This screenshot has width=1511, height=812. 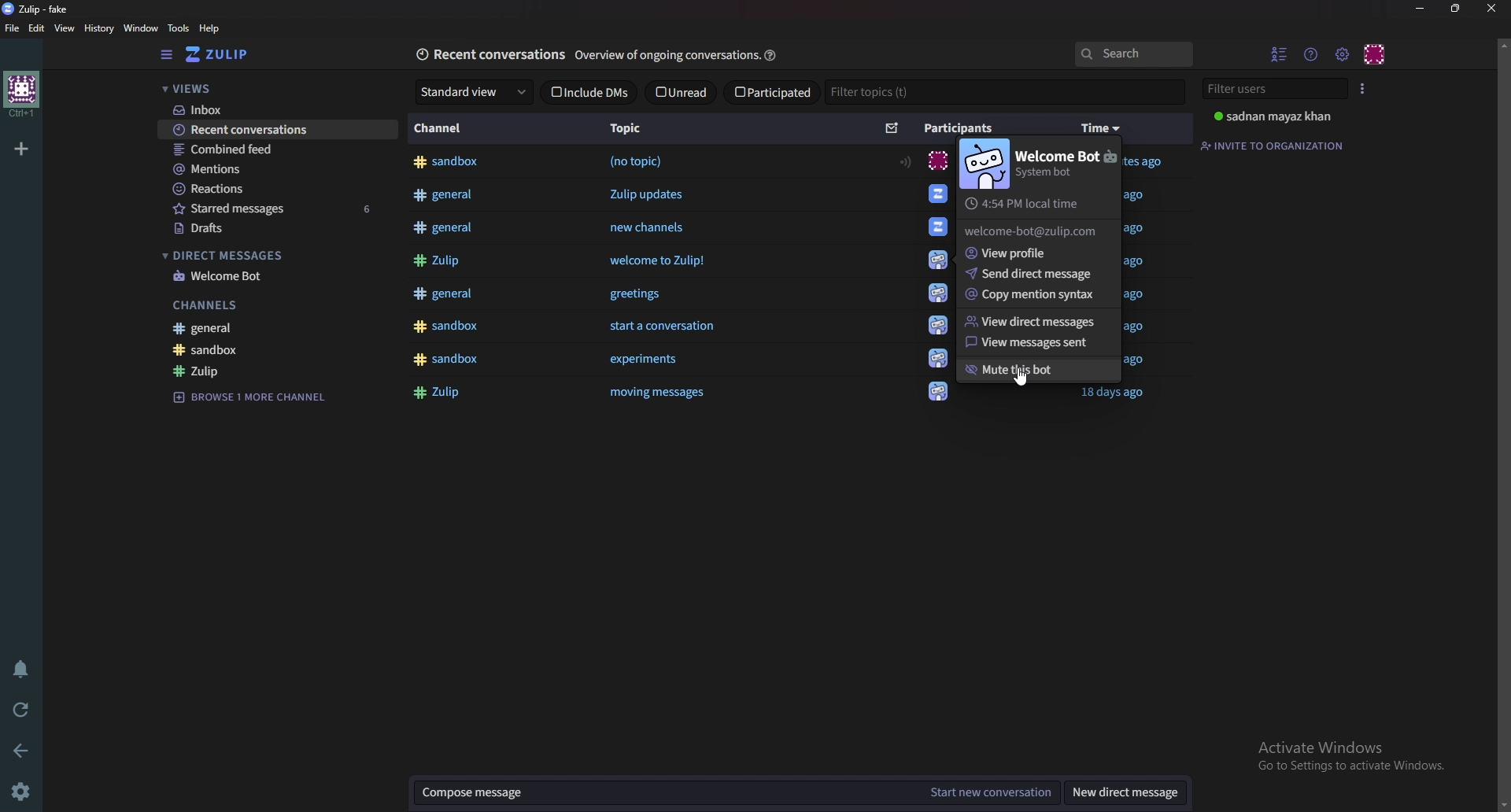 What do you see at coordinates (1101, 130) in the screenshot?
I see `time` at bounding box center [1101, 130].